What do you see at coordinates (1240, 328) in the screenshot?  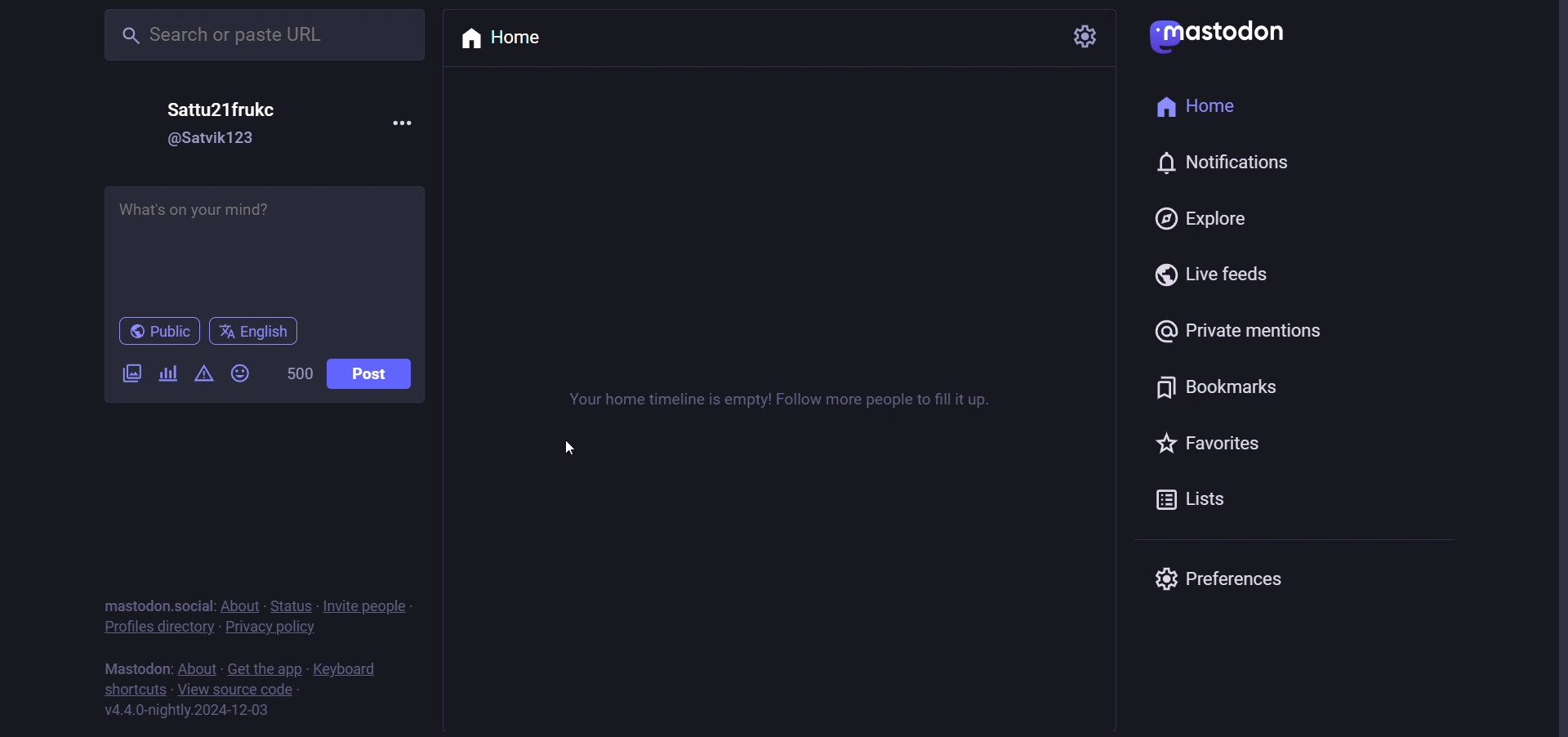 I see `private mention` at bounding box center [1240, 328].